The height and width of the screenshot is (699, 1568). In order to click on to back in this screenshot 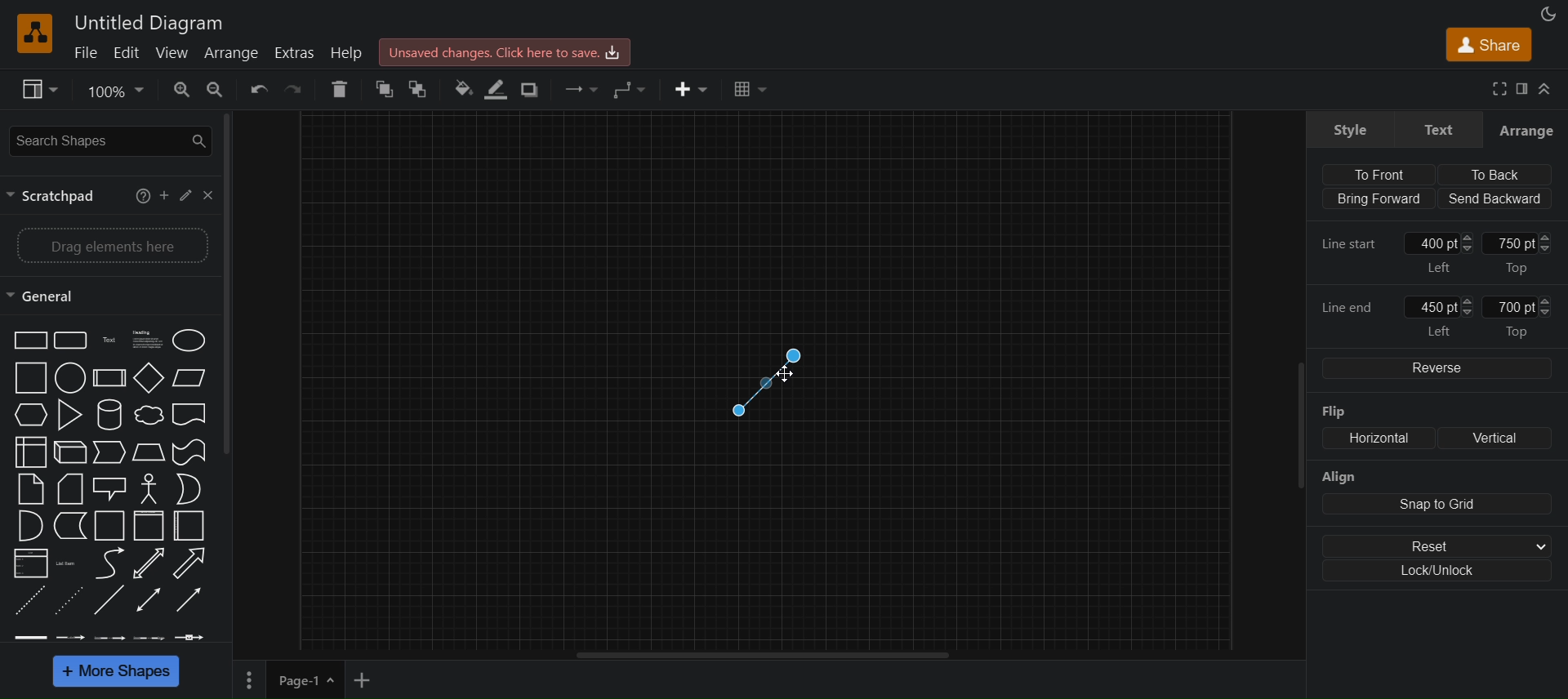, I will do `click(419, 89)`.